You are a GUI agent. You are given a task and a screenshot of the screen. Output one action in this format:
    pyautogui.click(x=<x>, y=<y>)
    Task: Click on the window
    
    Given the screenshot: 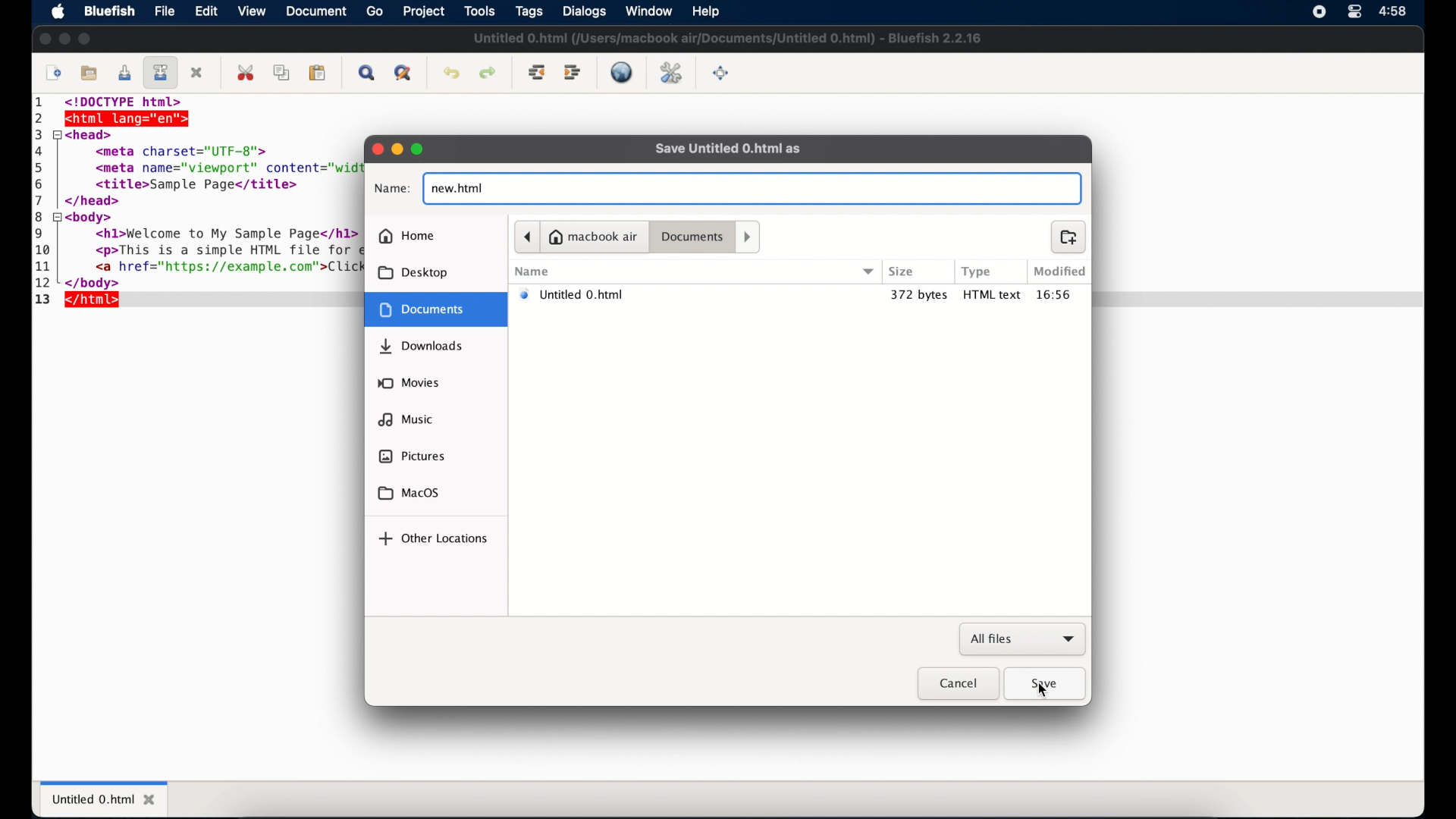 What is the action you would take?
    pyautogui.click(x=649, y=11)
    